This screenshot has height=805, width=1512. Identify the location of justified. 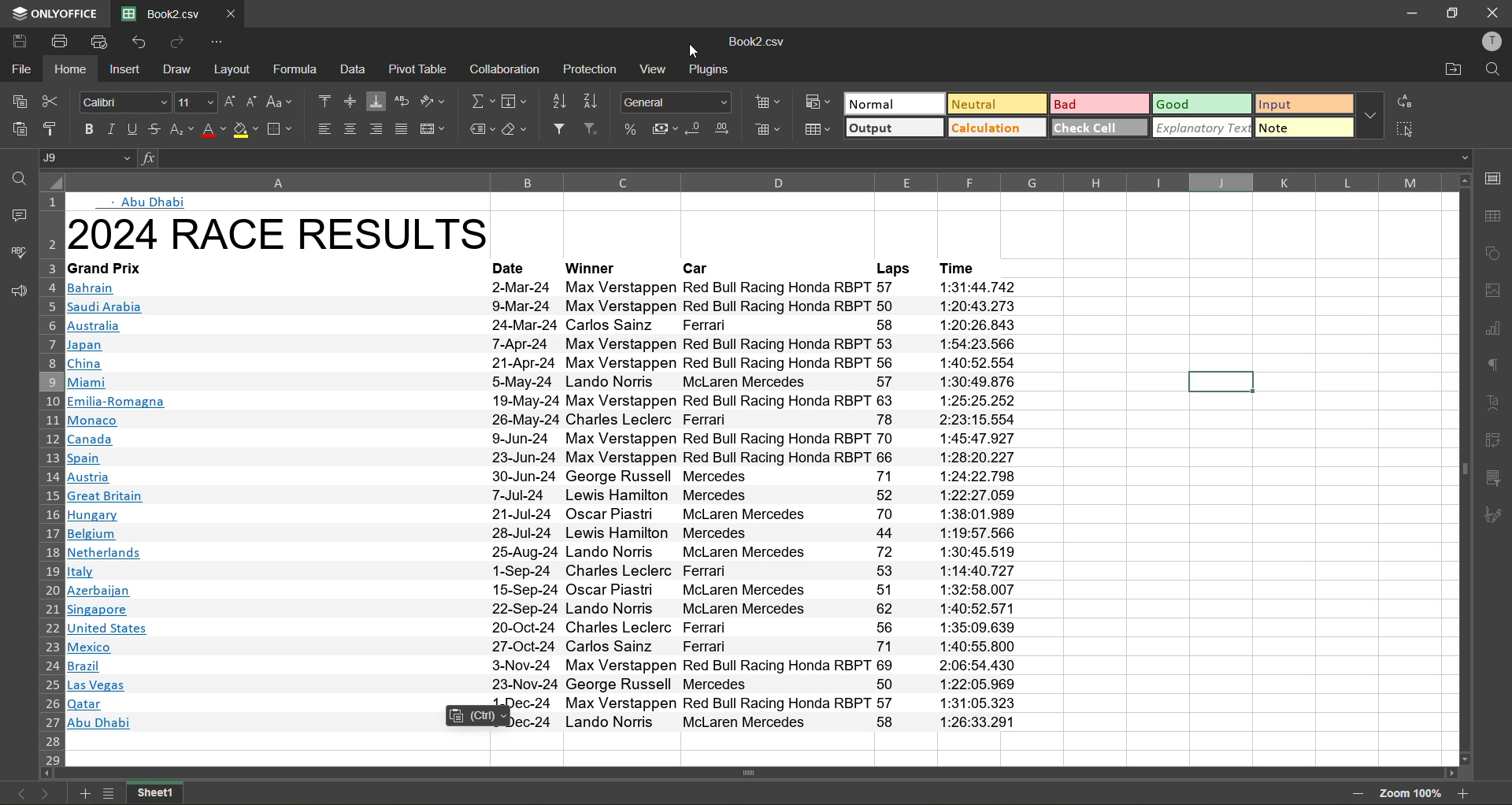
(402, 129).